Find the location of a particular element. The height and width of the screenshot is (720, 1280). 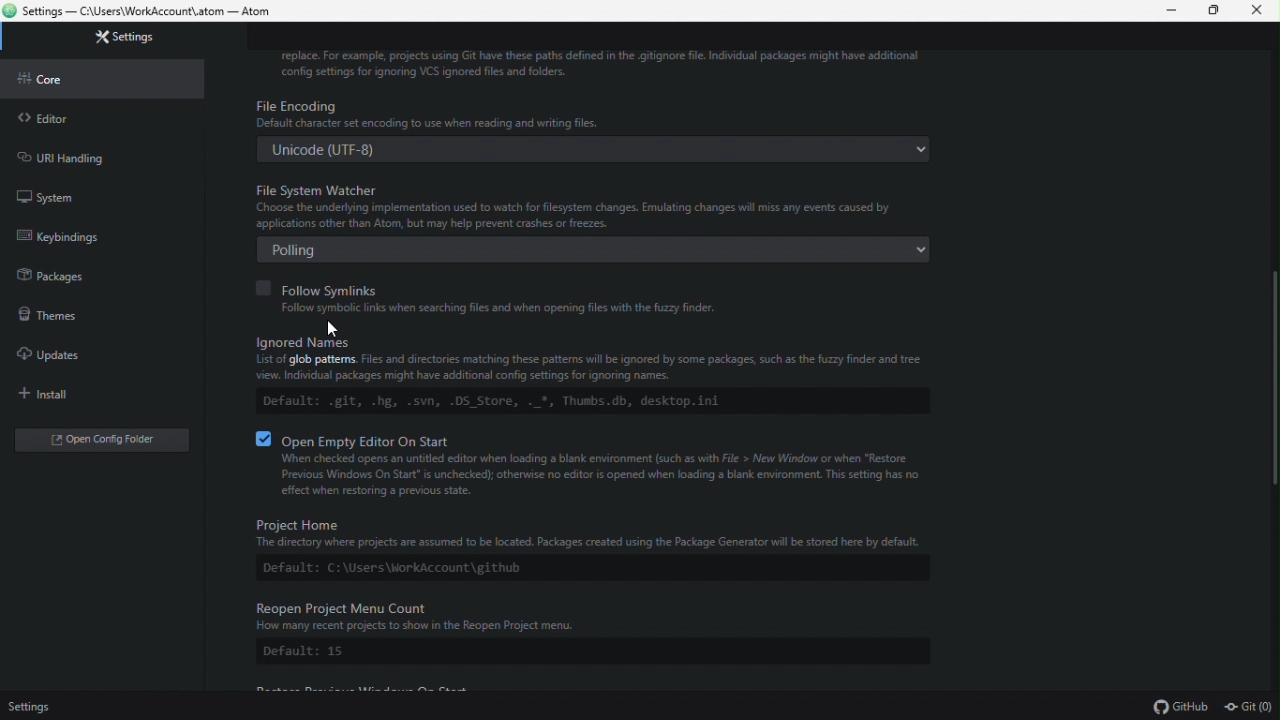

github is located at coordinates (1184, 708).